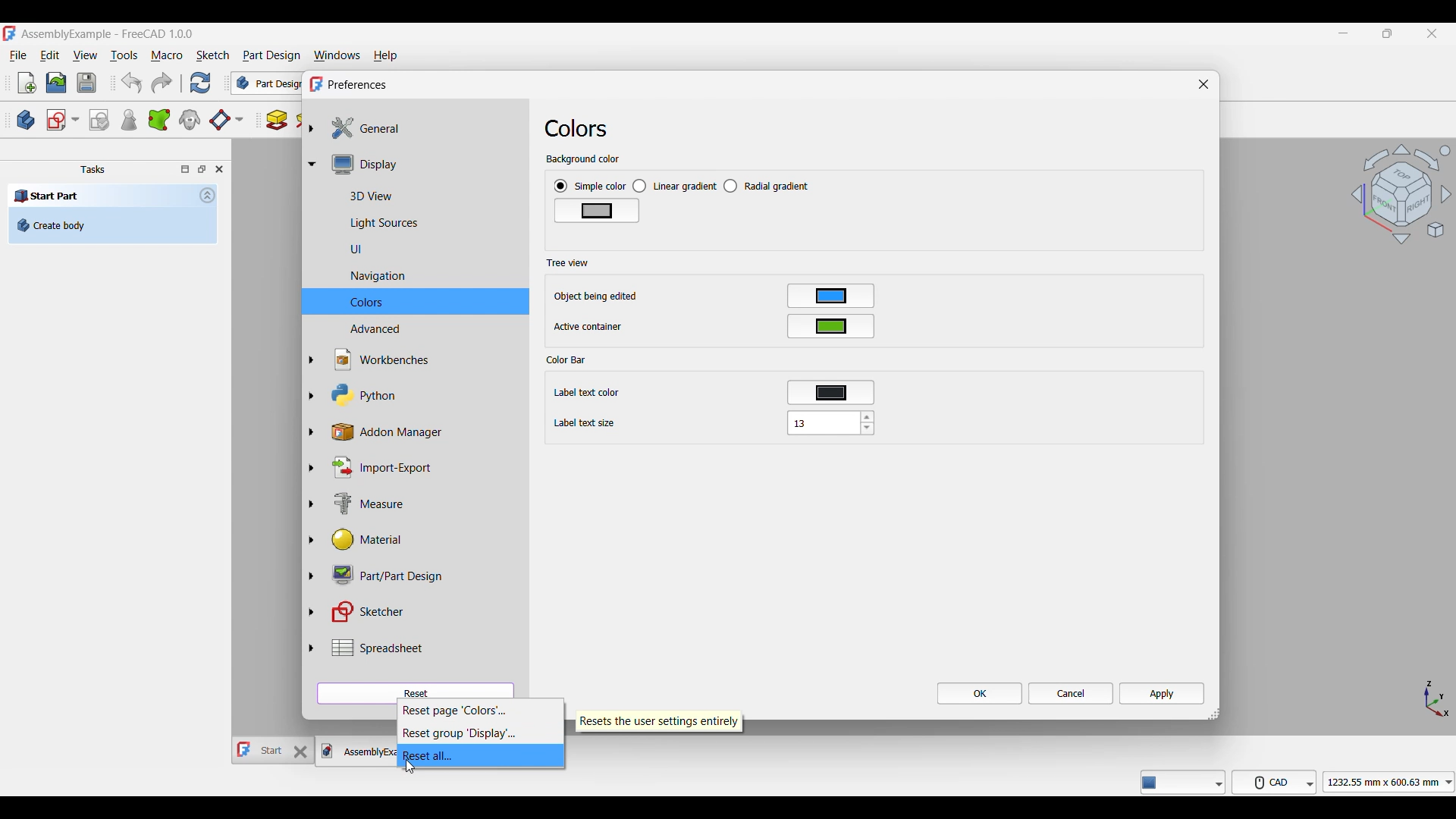  I want to click on Spreadsheet, so click(365, 648).